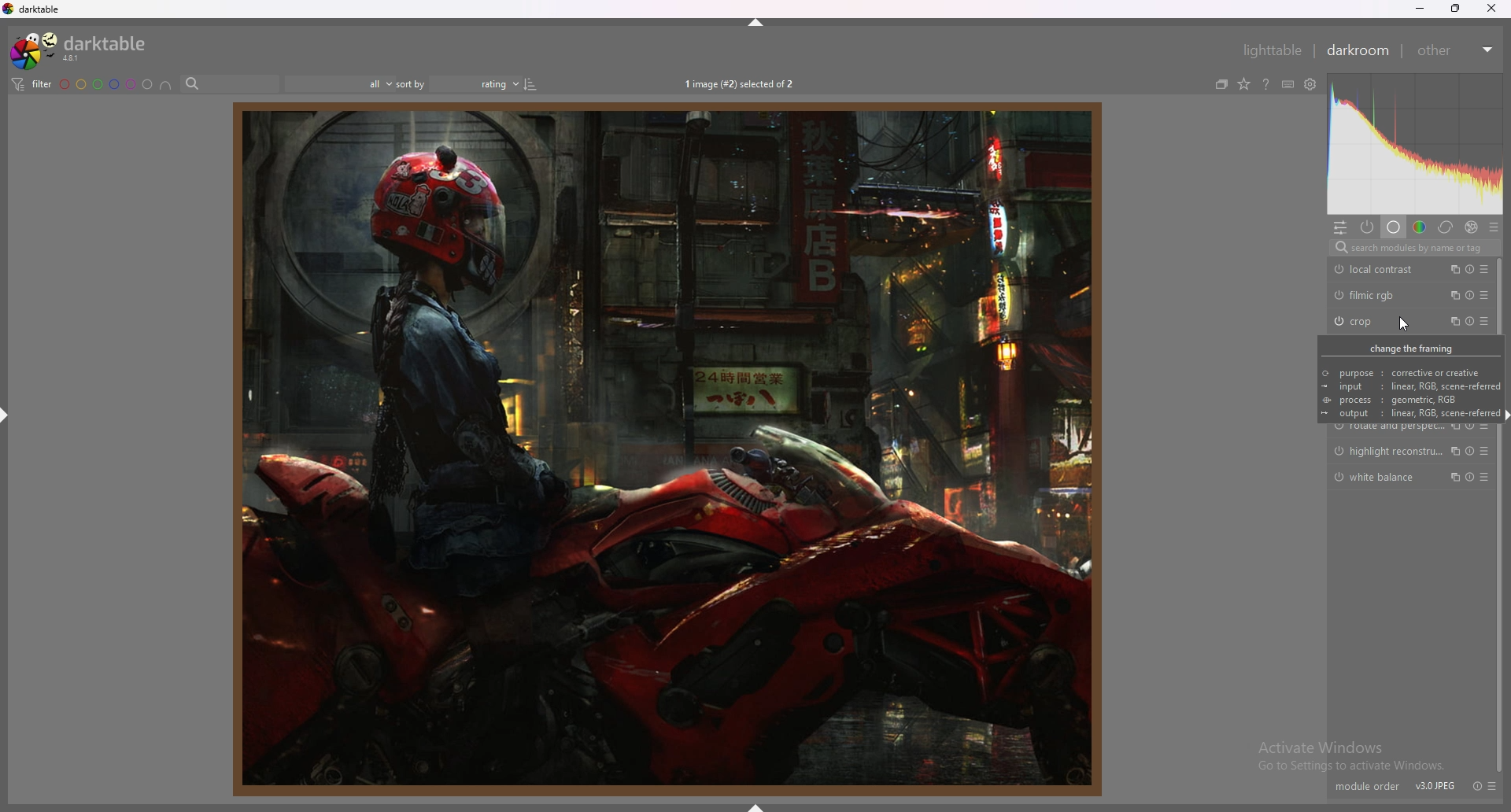 This screenshot has height=812, width=1511. What do you see at coordinates (1479, 787) in the screenshot?
I see `reset` at bounding box center [1479, 787].